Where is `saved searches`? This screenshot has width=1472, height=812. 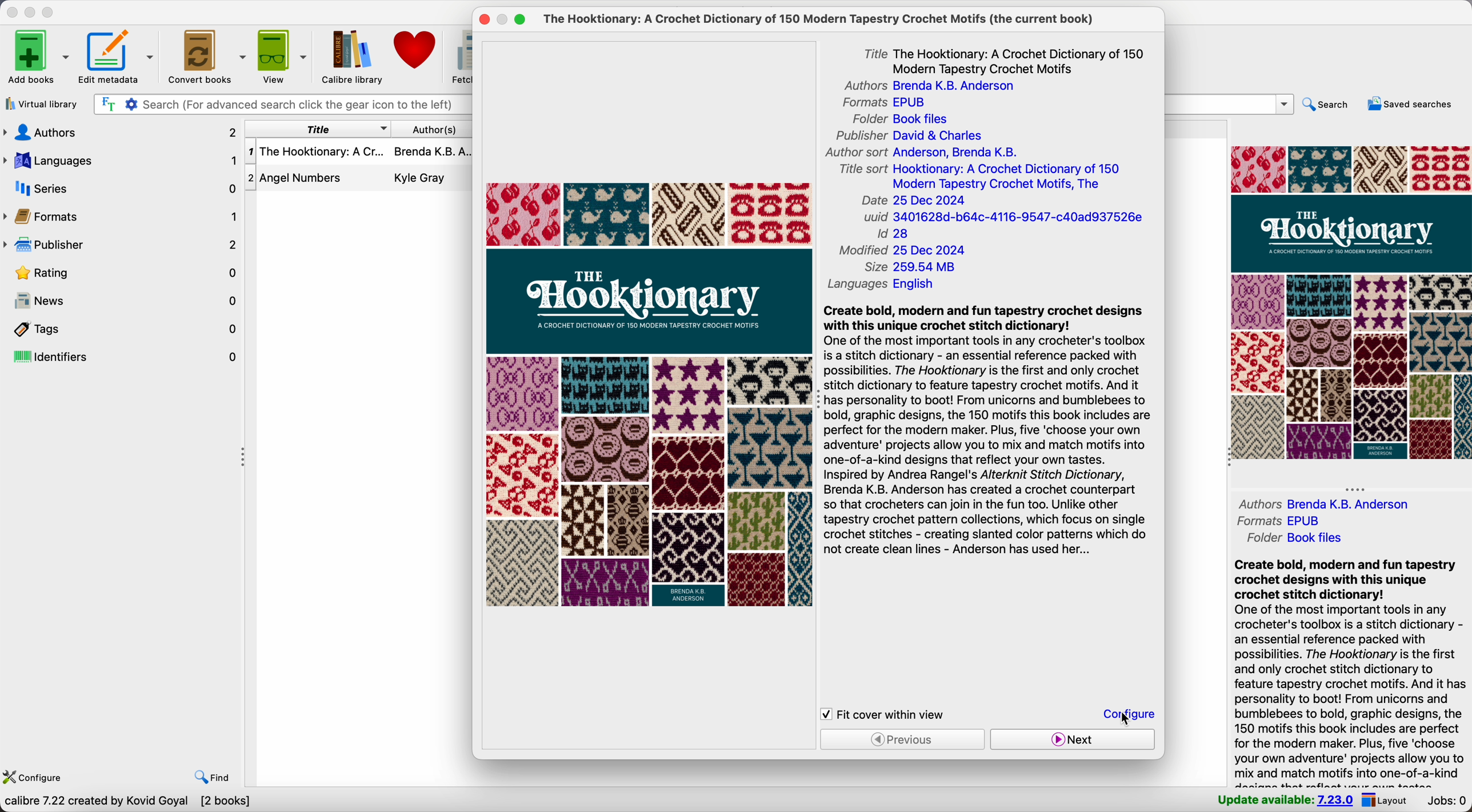 saved searches is located at coordinates (1413, 105).